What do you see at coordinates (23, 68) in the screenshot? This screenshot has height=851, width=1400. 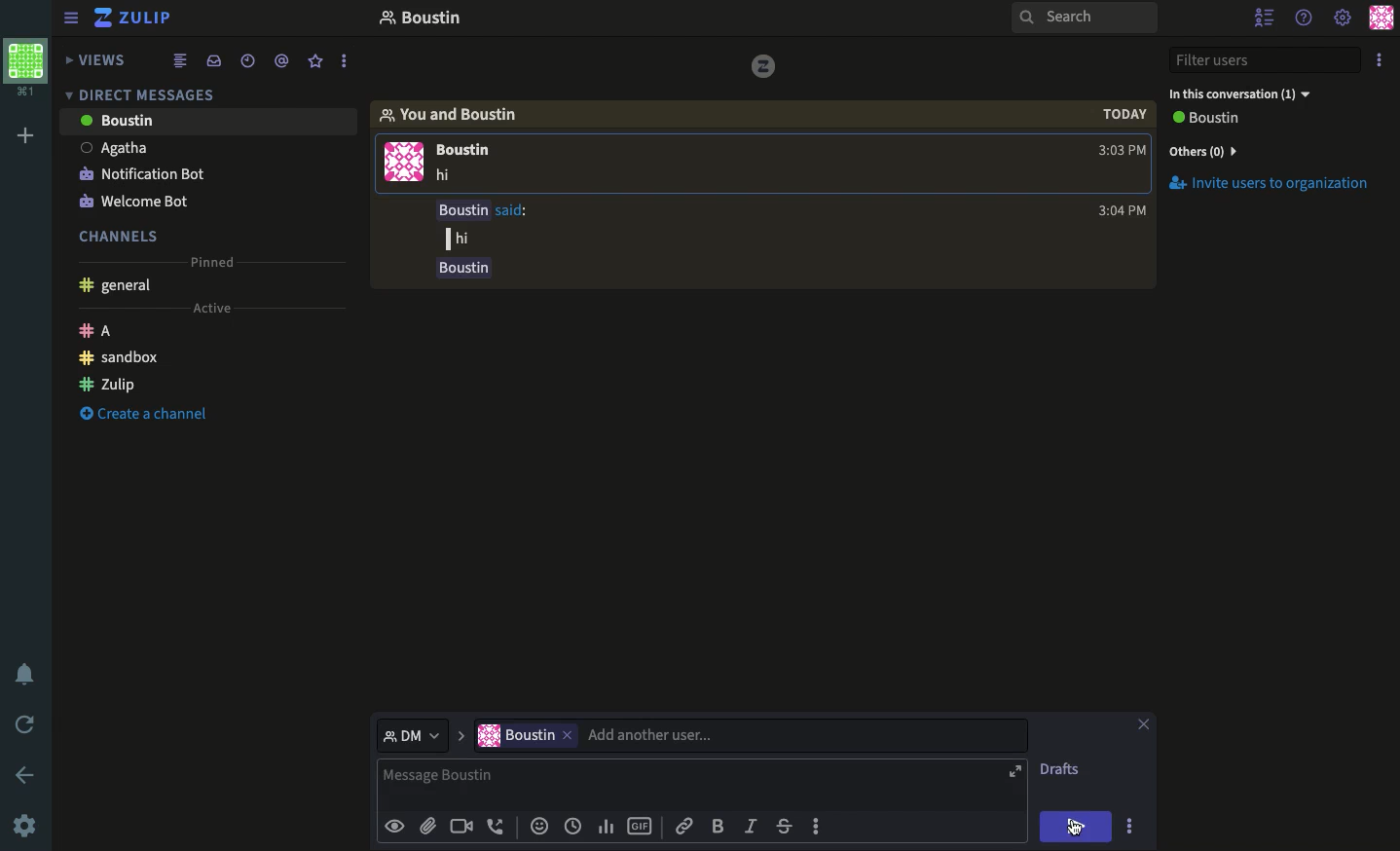 I see `Workspace profile` at bounding box center [23, 68].